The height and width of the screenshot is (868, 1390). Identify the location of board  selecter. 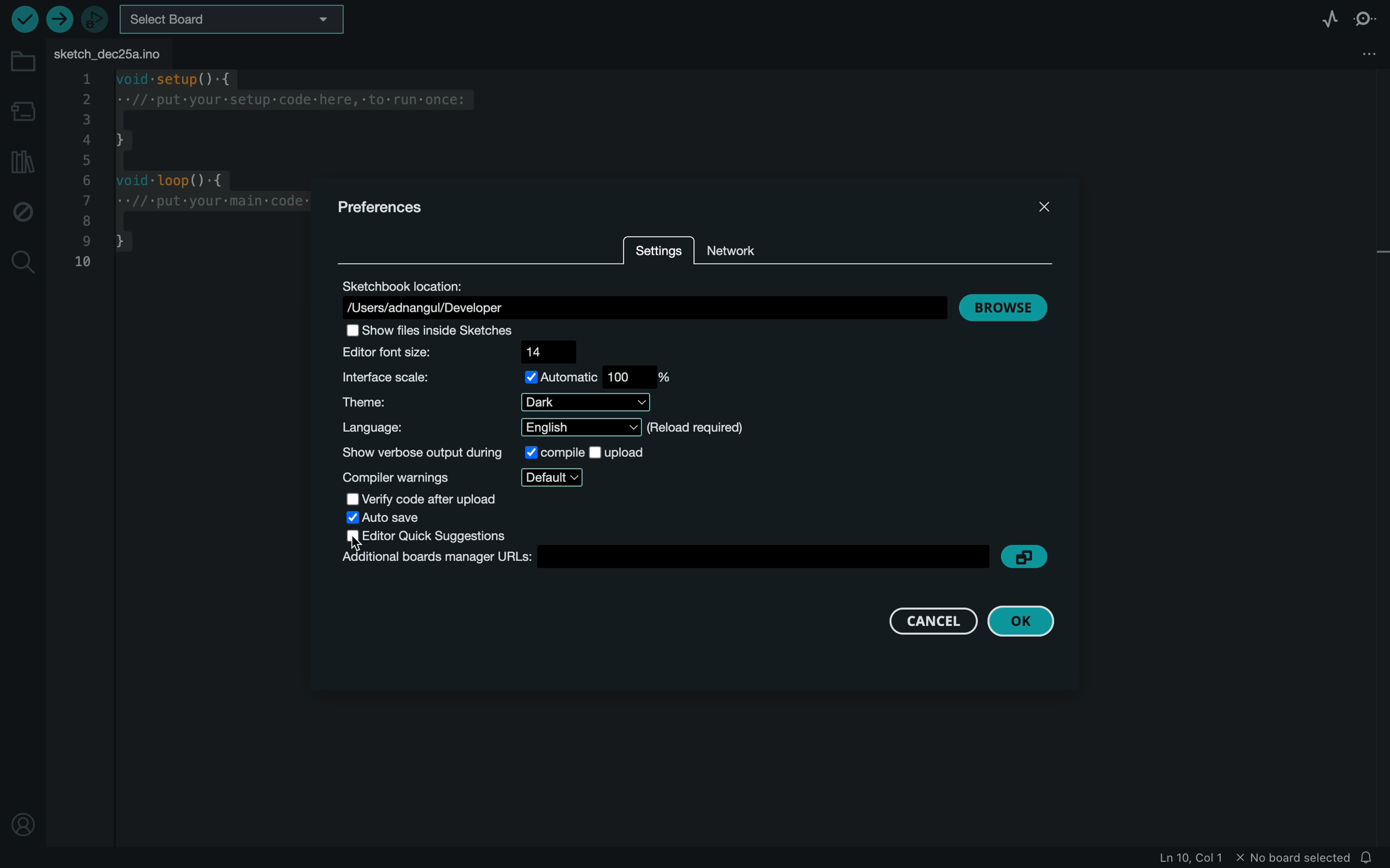
(234, 21).